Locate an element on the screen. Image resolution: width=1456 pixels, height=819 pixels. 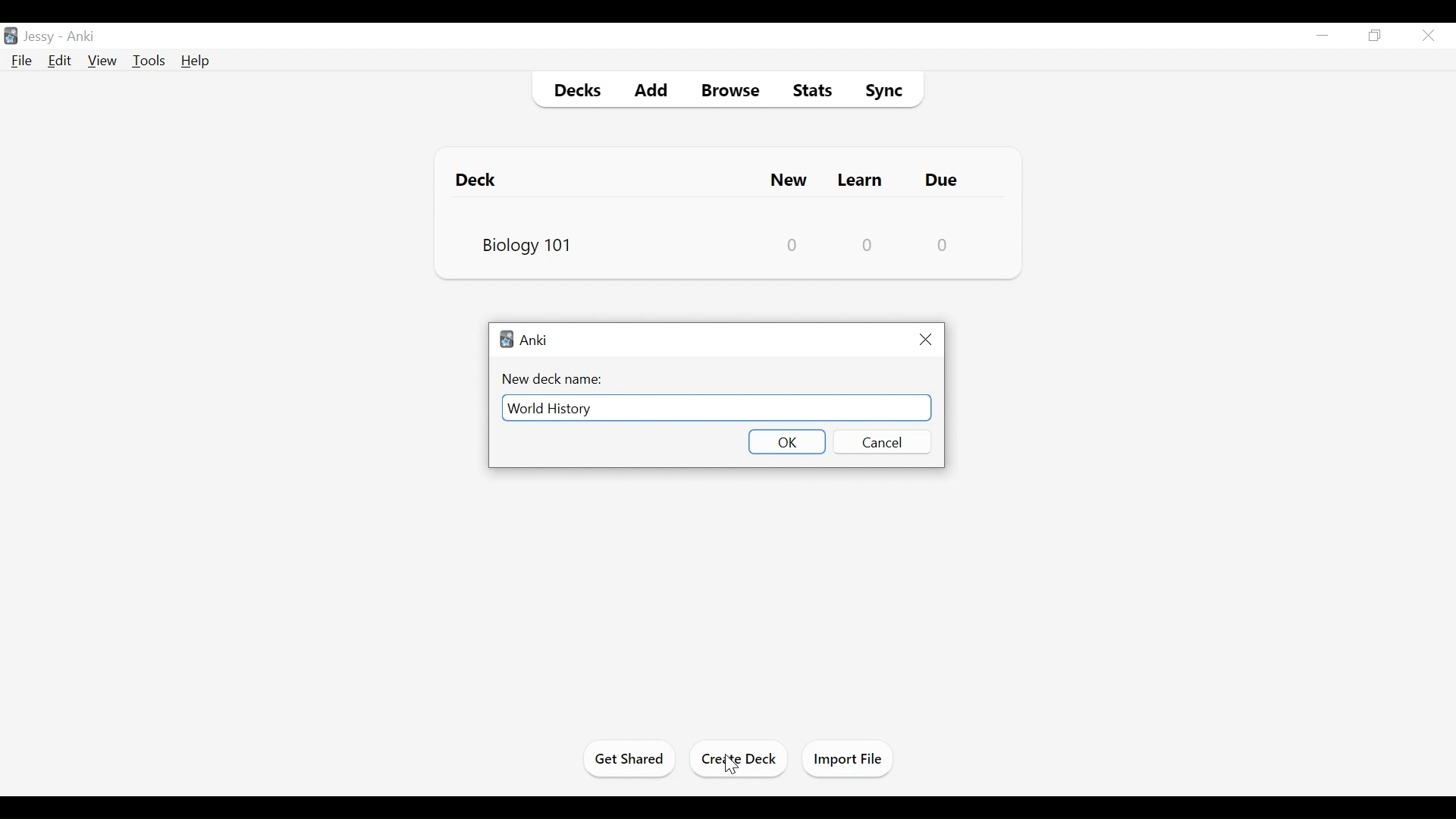
OK is located at coordinates (786, 442).